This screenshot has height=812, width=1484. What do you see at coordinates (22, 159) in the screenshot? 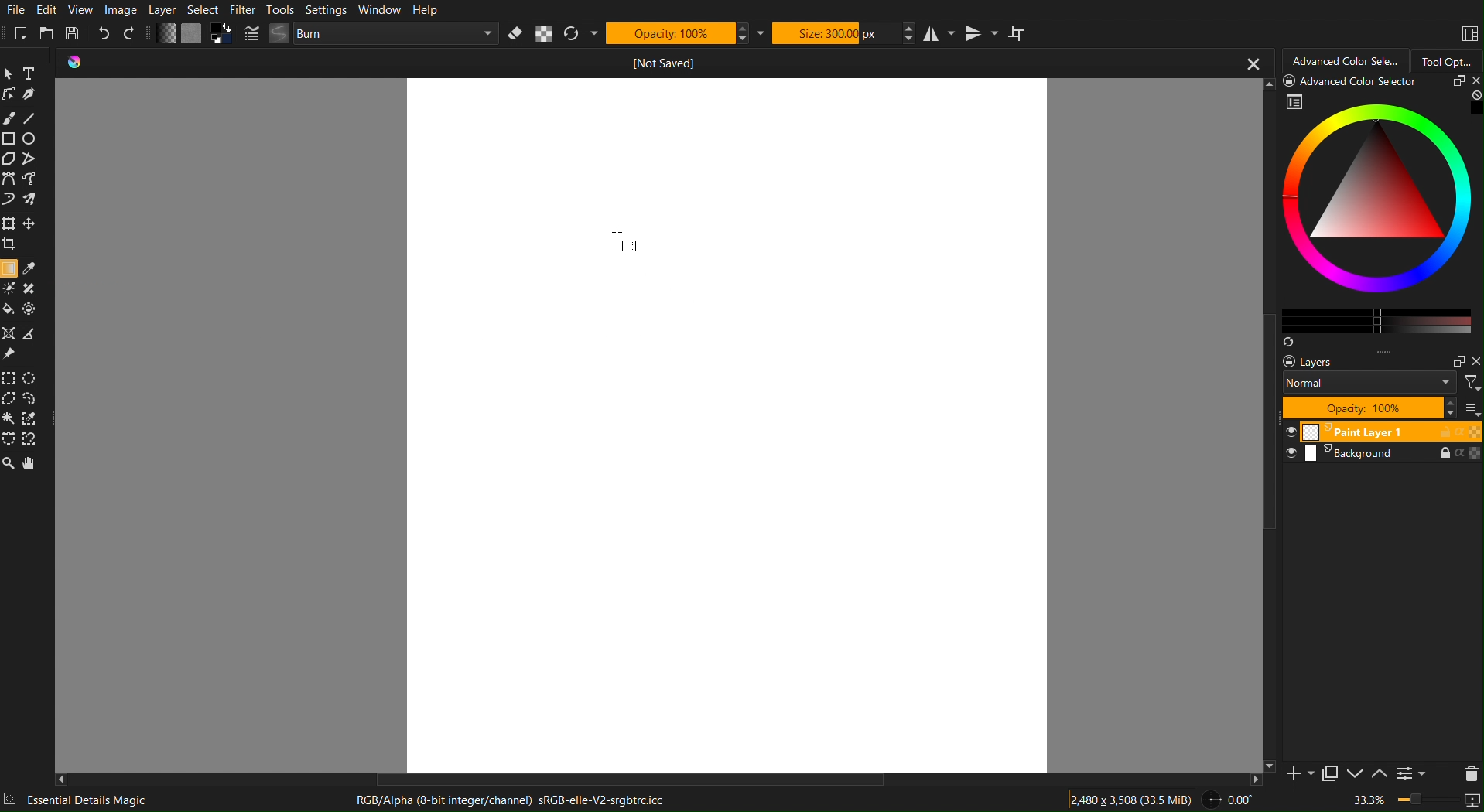
I see `Polygon Tools` at bounding box center [22, 159].